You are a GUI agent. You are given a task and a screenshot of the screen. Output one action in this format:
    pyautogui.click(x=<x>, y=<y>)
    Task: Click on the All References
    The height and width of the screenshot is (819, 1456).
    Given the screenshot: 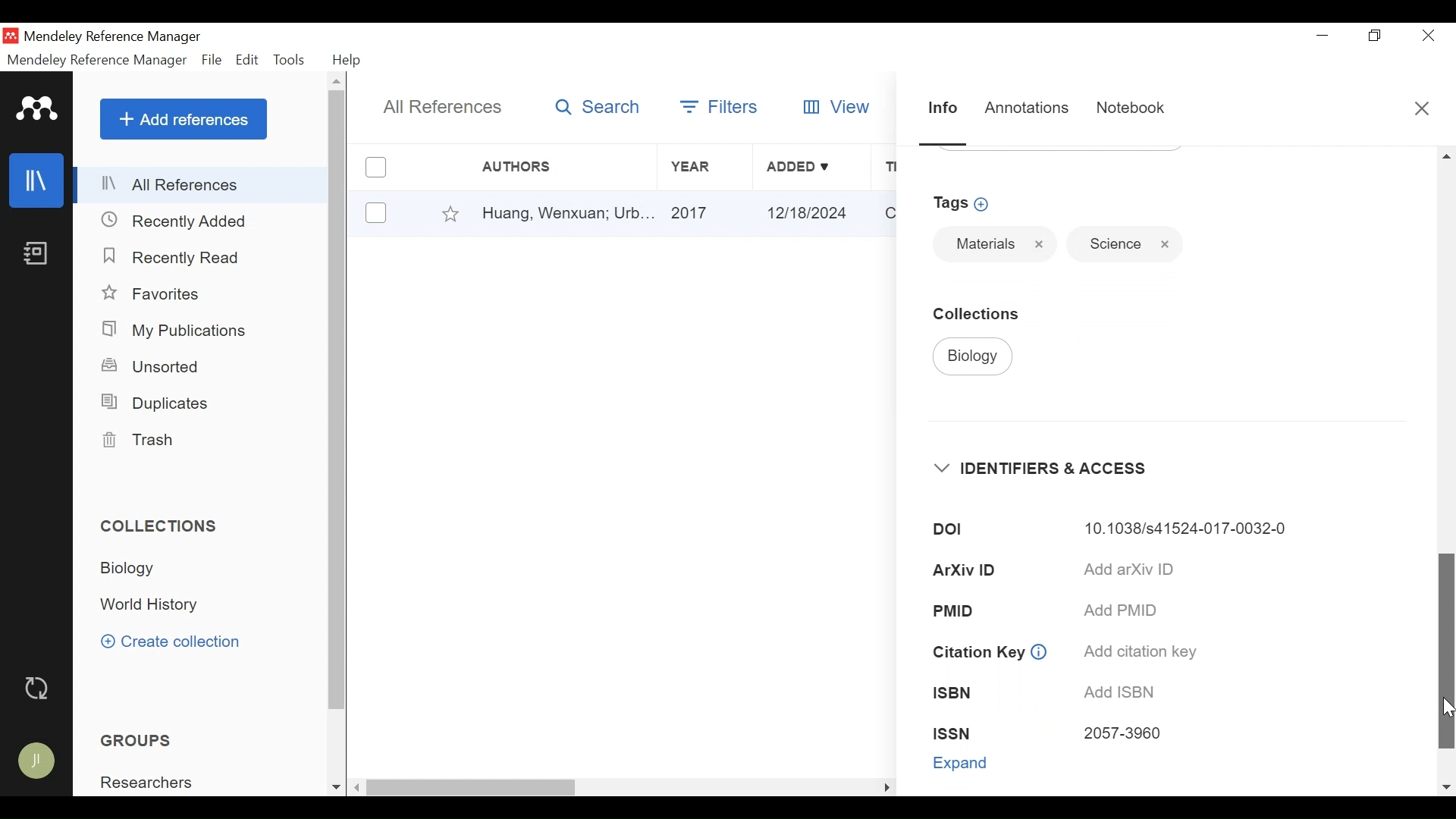 What is the action you would take?
    pyautogui.click(x=202, y=184)
    